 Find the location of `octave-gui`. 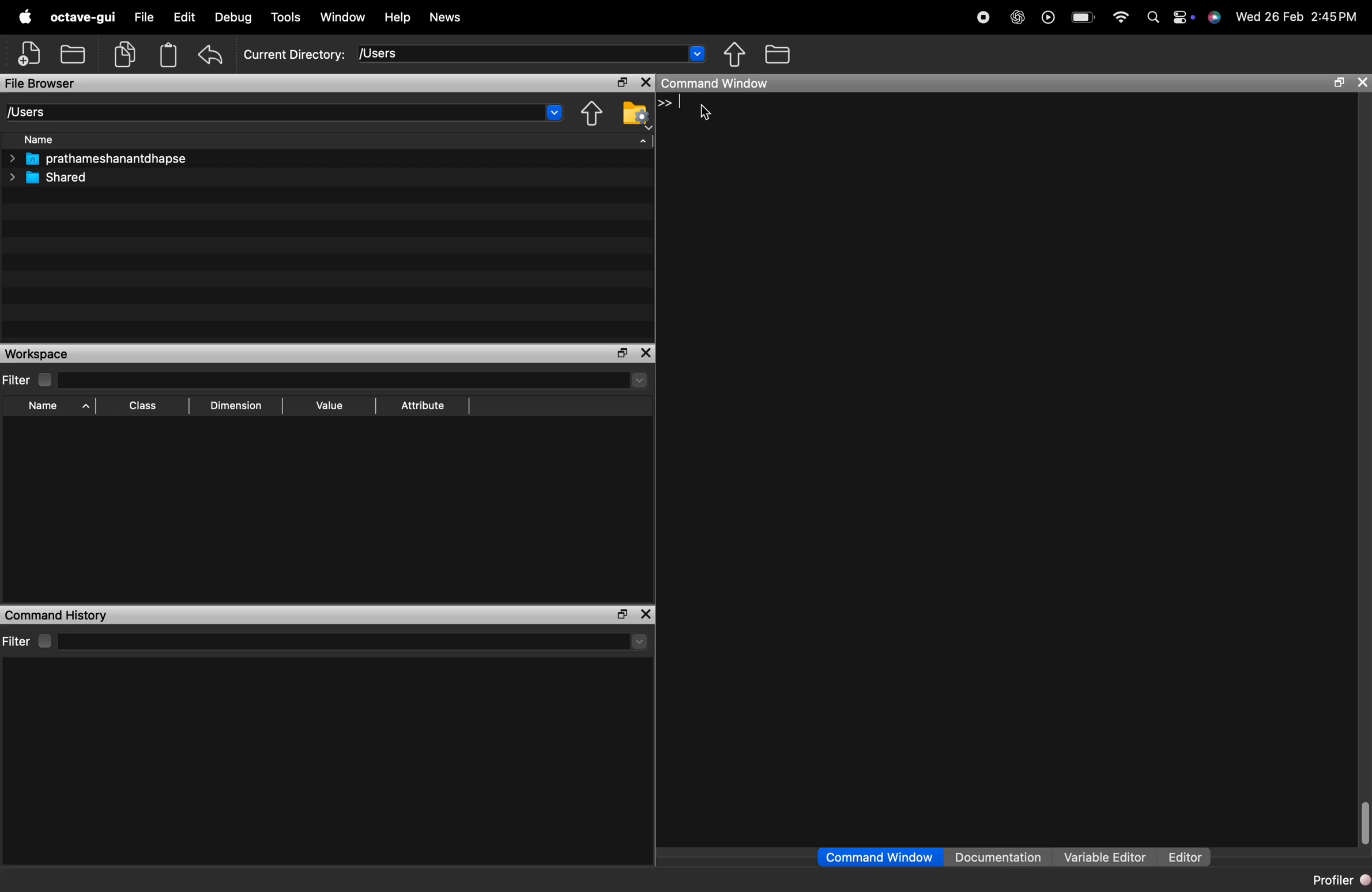

octave-gui is located at coordinates (84, 17).